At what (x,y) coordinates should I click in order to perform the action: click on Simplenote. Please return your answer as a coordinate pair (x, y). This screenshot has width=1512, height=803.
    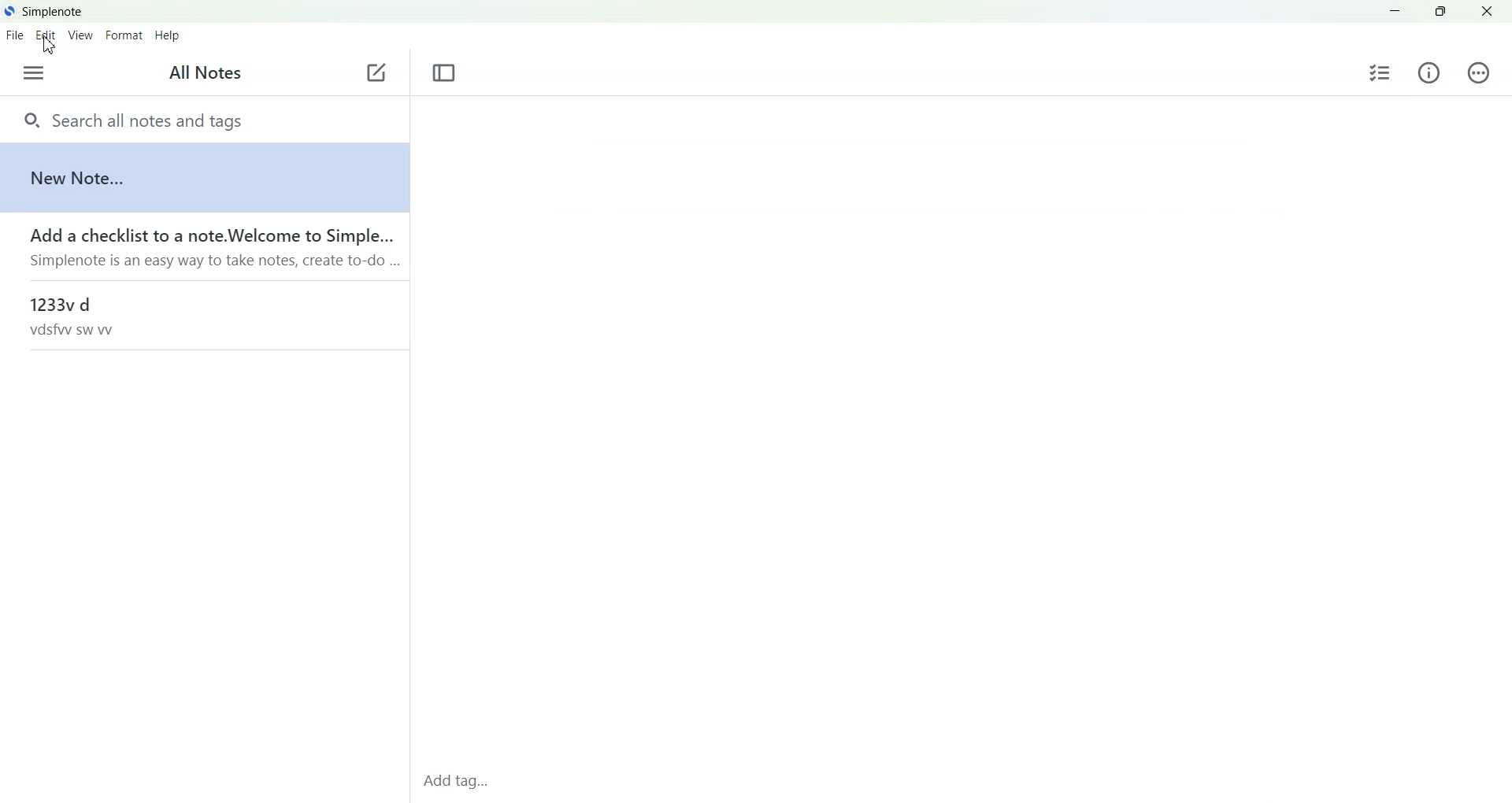
    Looking at the image, I should click on (44, 10).